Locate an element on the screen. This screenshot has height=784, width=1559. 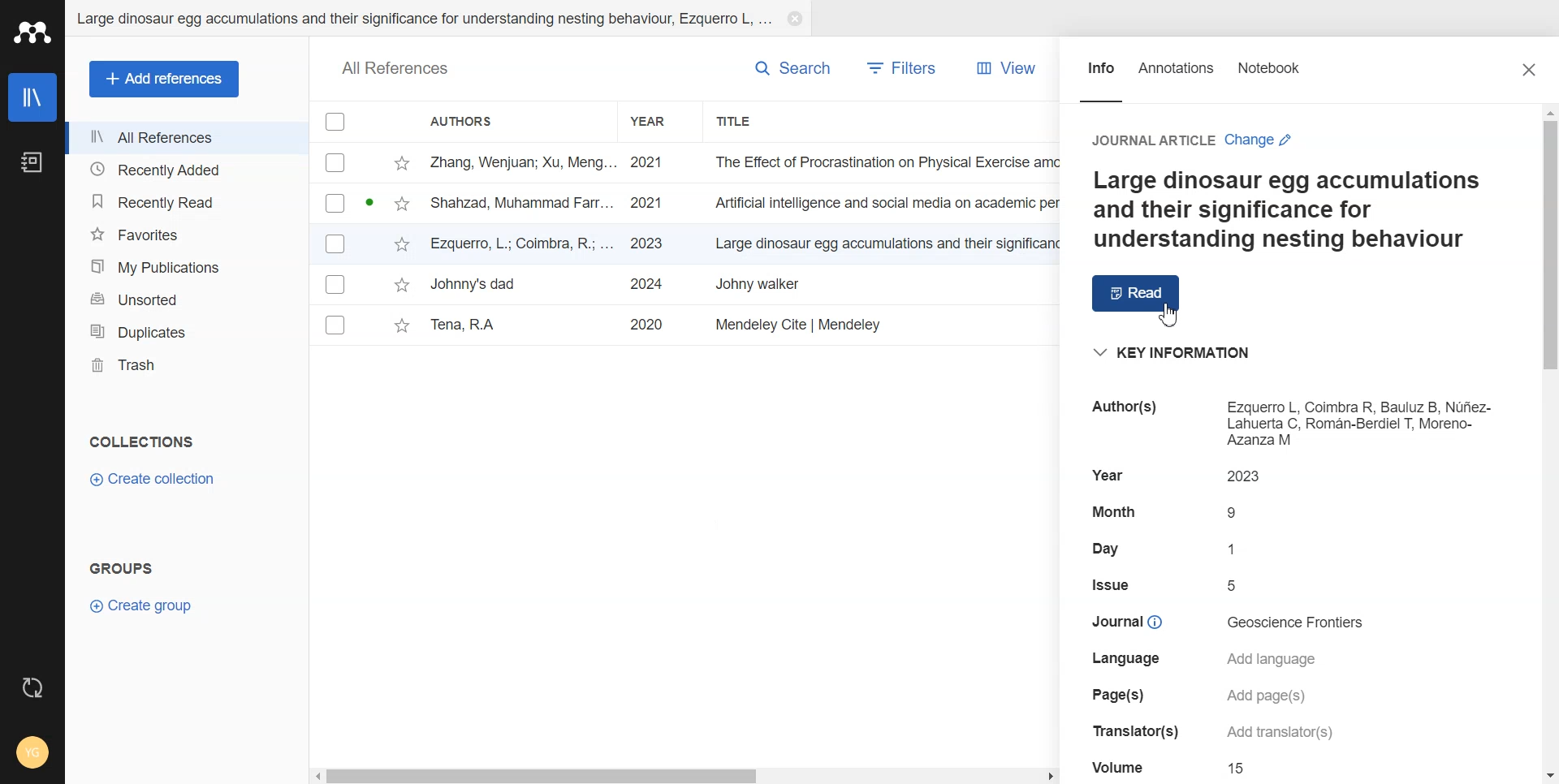
Close folder is located at coordinates (795, 20).